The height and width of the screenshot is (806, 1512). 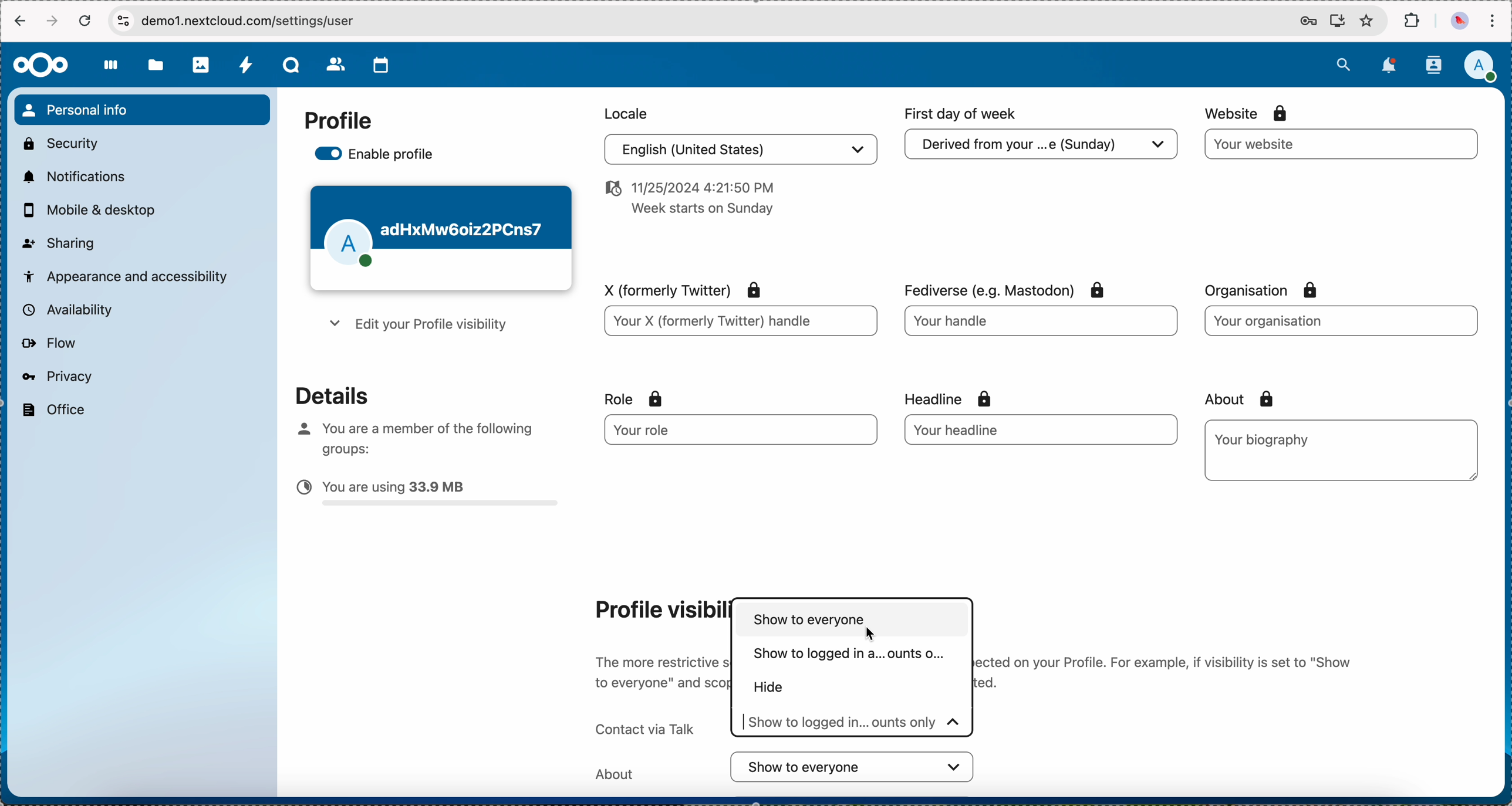 What do you see at coordinates (141, 110) in the screenshot?
I see `personal info` at bounding box center [141, 110].